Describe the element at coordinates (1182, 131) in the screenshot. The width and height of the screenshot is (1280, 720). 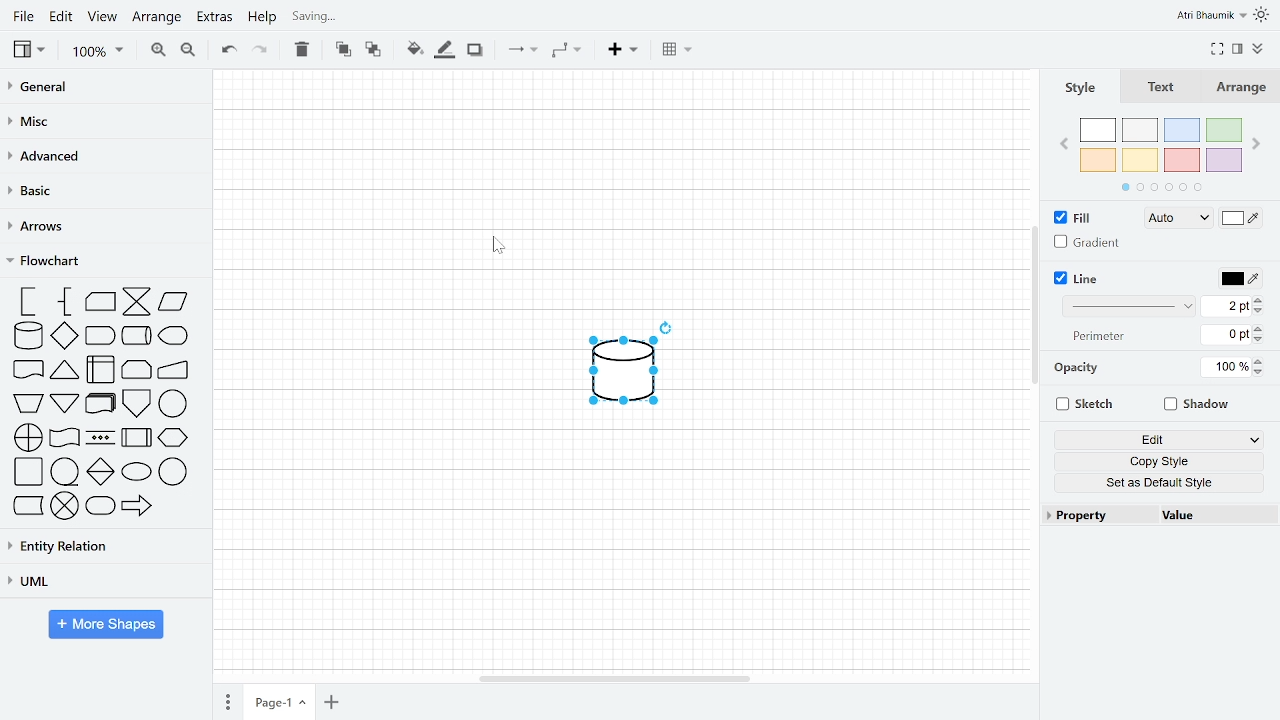
I see `blue` at that location.